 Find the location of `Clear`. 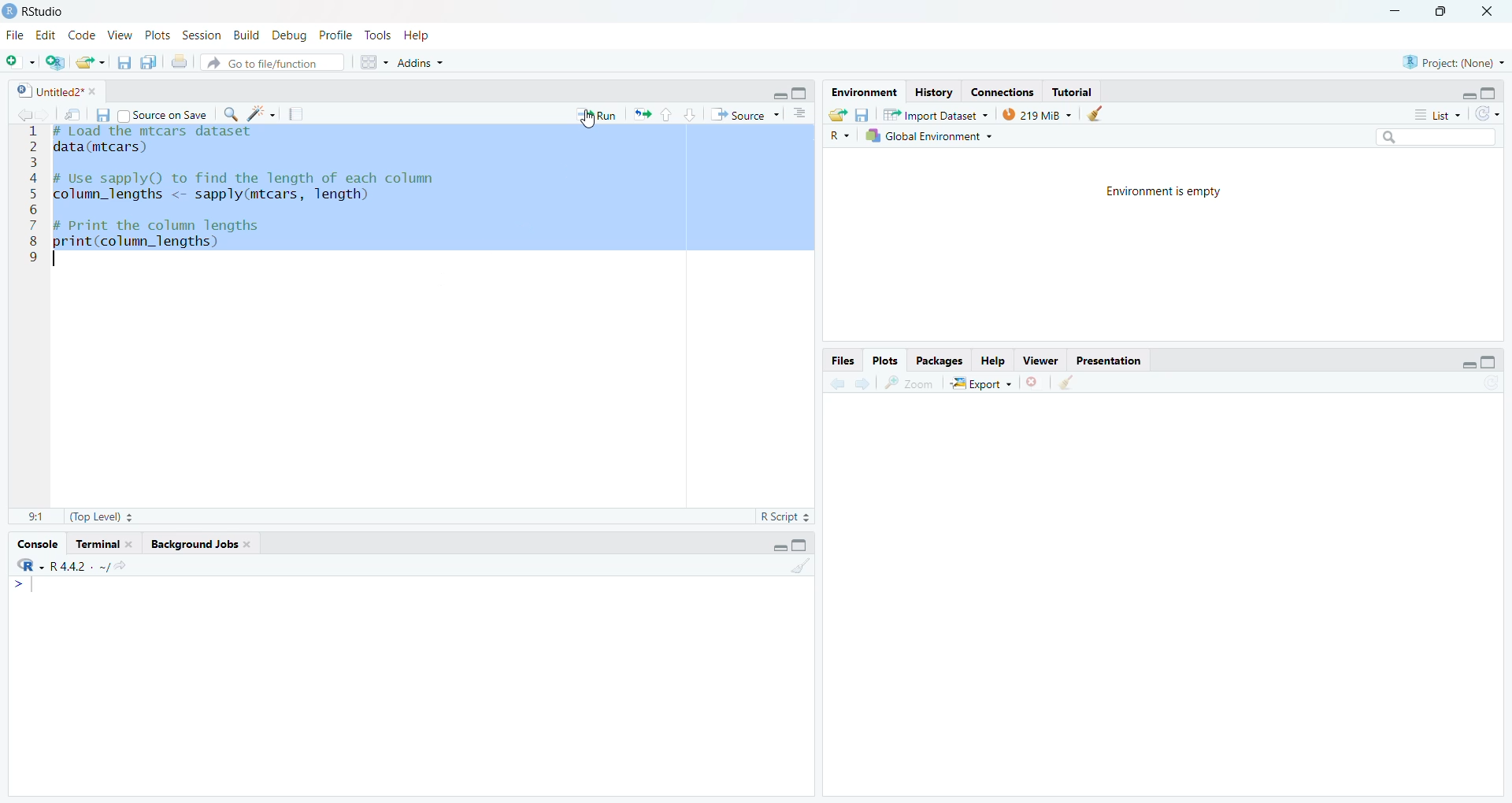

Clear is located at coordinates (1065, 383).